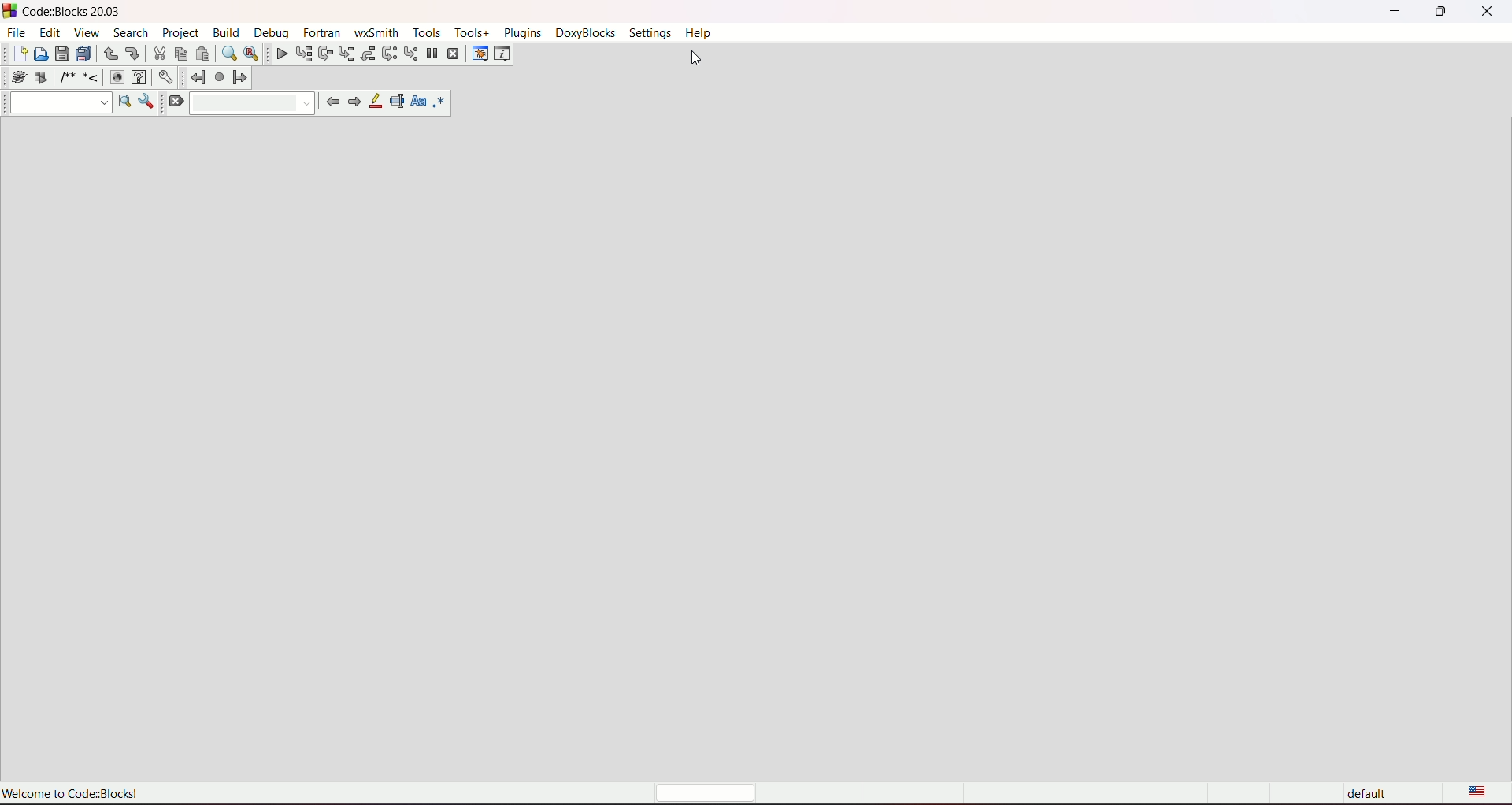 The image size is (1512, 805). I want to click on next, so click(355, 102).